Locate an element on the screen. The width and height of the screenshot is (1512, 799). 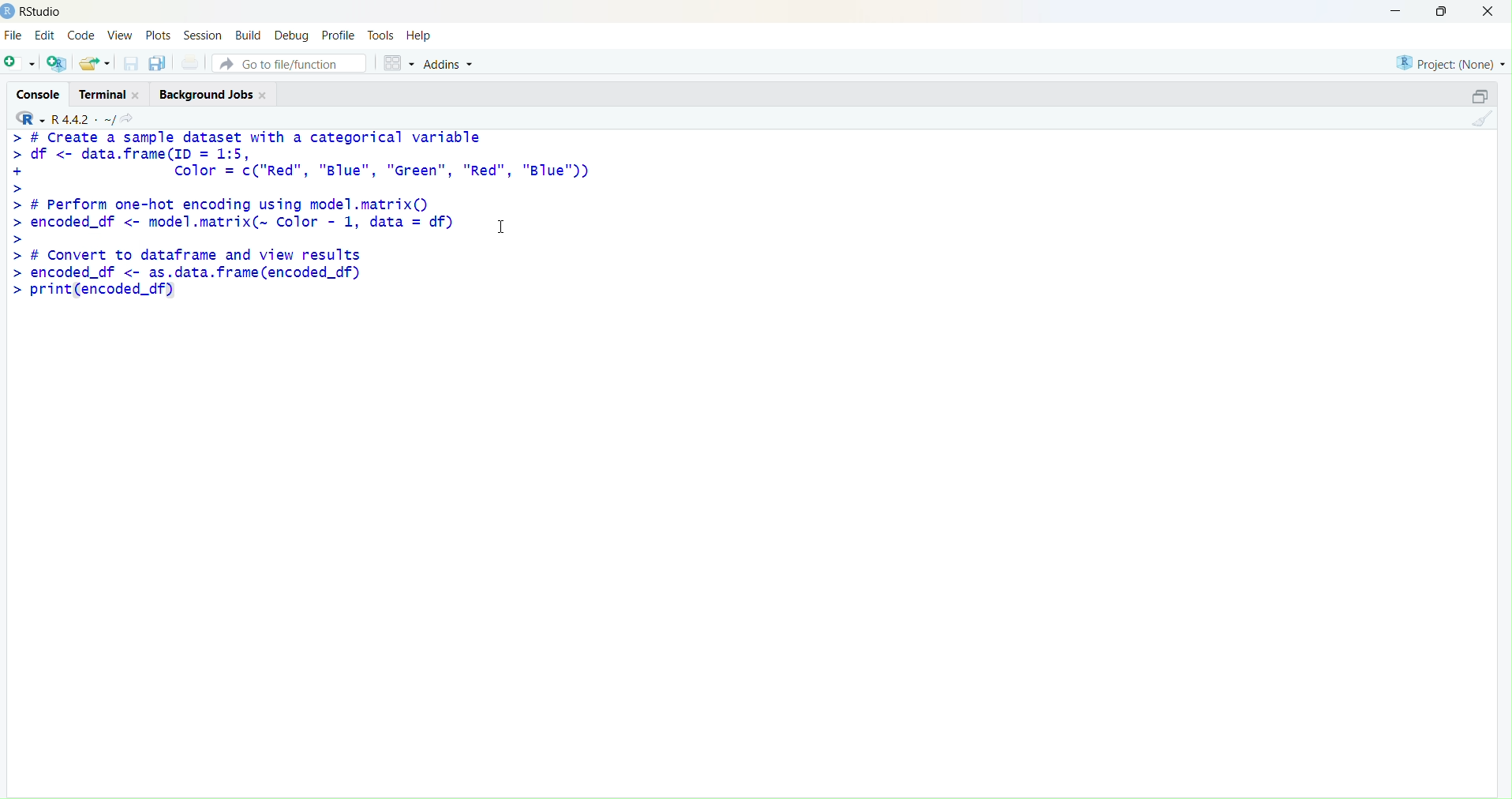
R 4.4.2 ~/ is located at coordinates (83, 119).